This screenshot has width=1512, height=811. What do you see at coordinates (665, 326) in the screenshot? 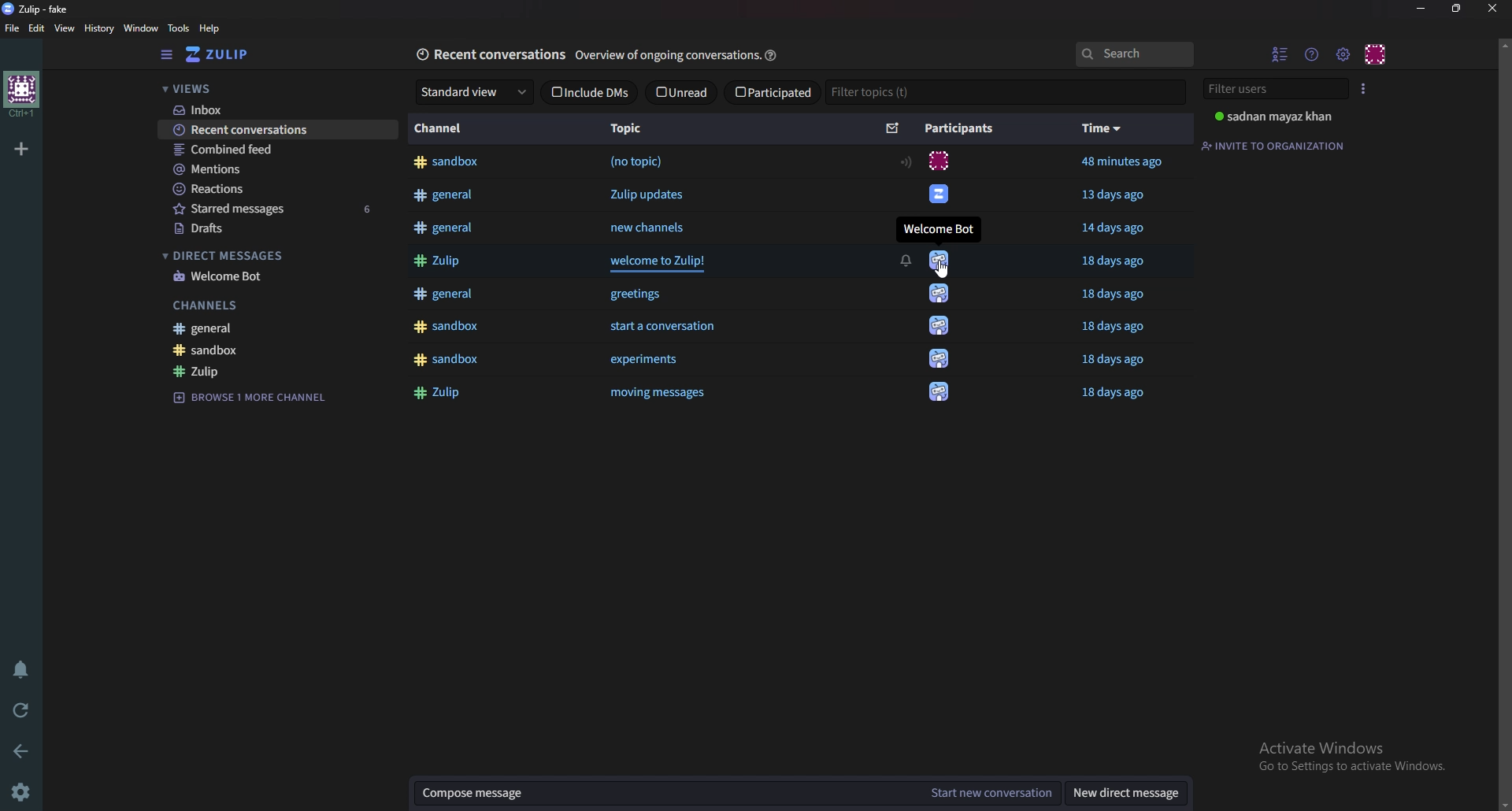
I see `start a conversation` at bounding box center [665, 326].